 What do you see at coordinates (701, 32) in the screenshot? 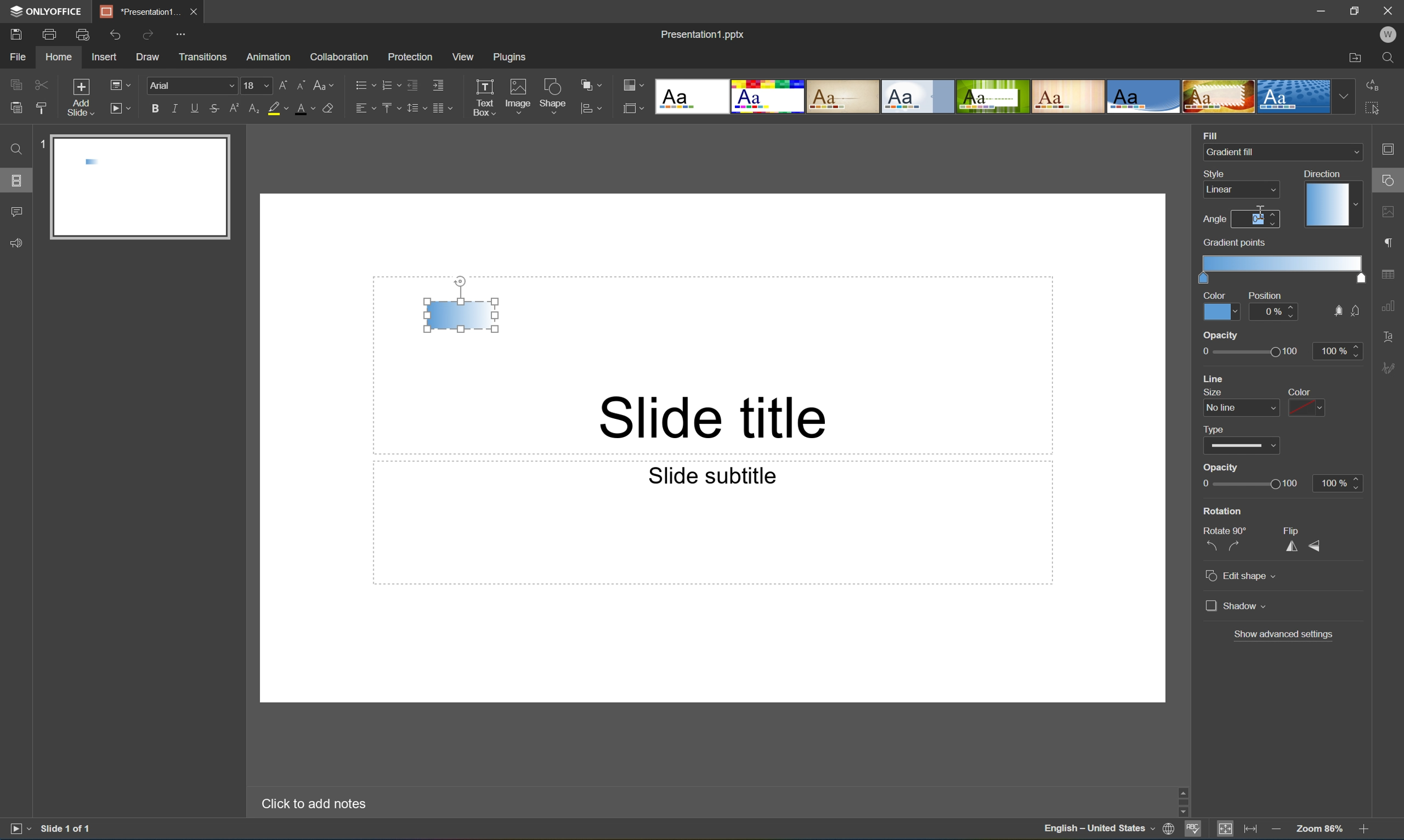
I see `Presentation1.pptx` at bounding box center [701, 32].